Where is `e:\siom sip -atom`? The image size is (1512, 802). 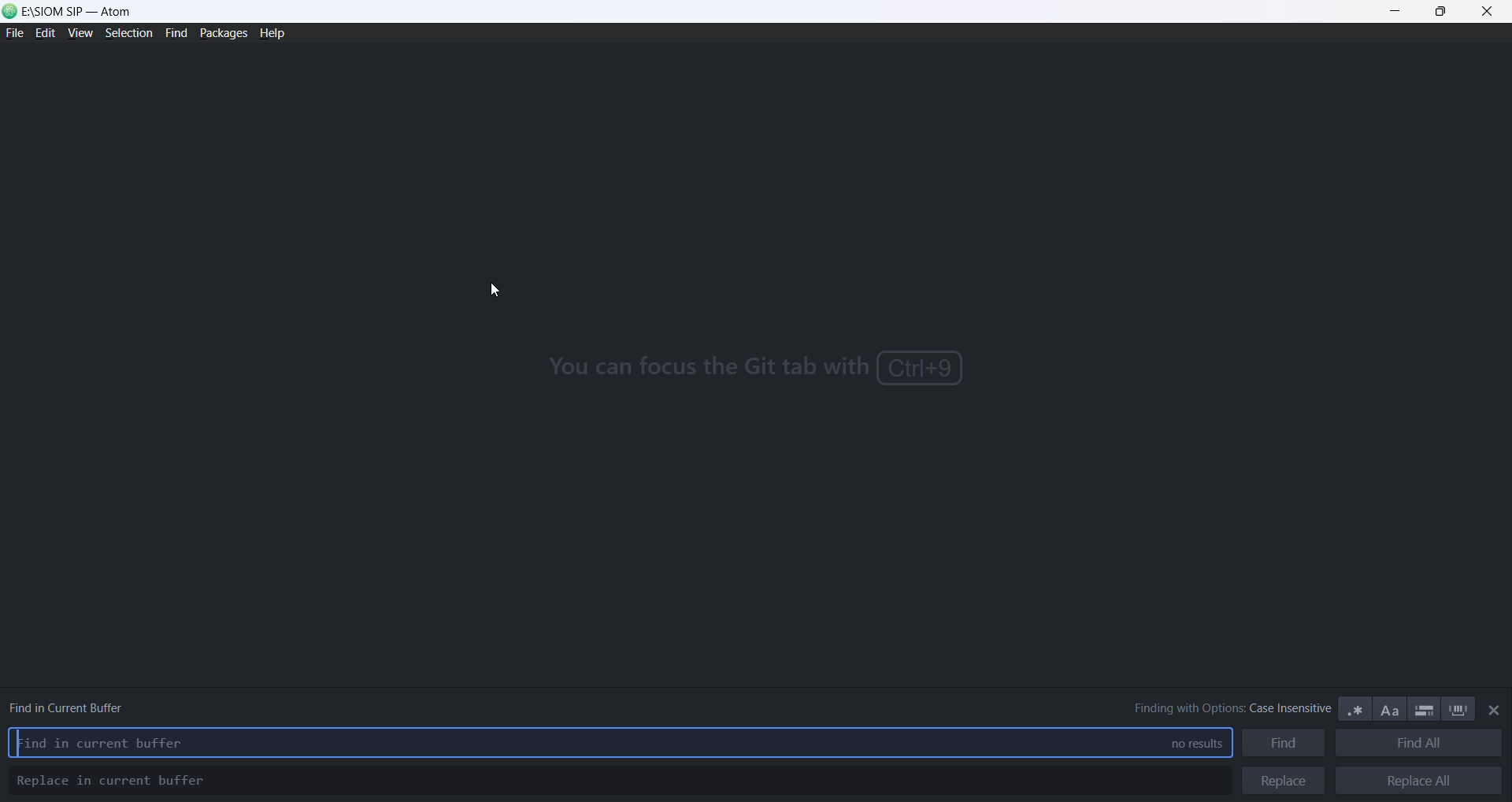
e:\siom sip -atom is located at coordinates (82, 11).